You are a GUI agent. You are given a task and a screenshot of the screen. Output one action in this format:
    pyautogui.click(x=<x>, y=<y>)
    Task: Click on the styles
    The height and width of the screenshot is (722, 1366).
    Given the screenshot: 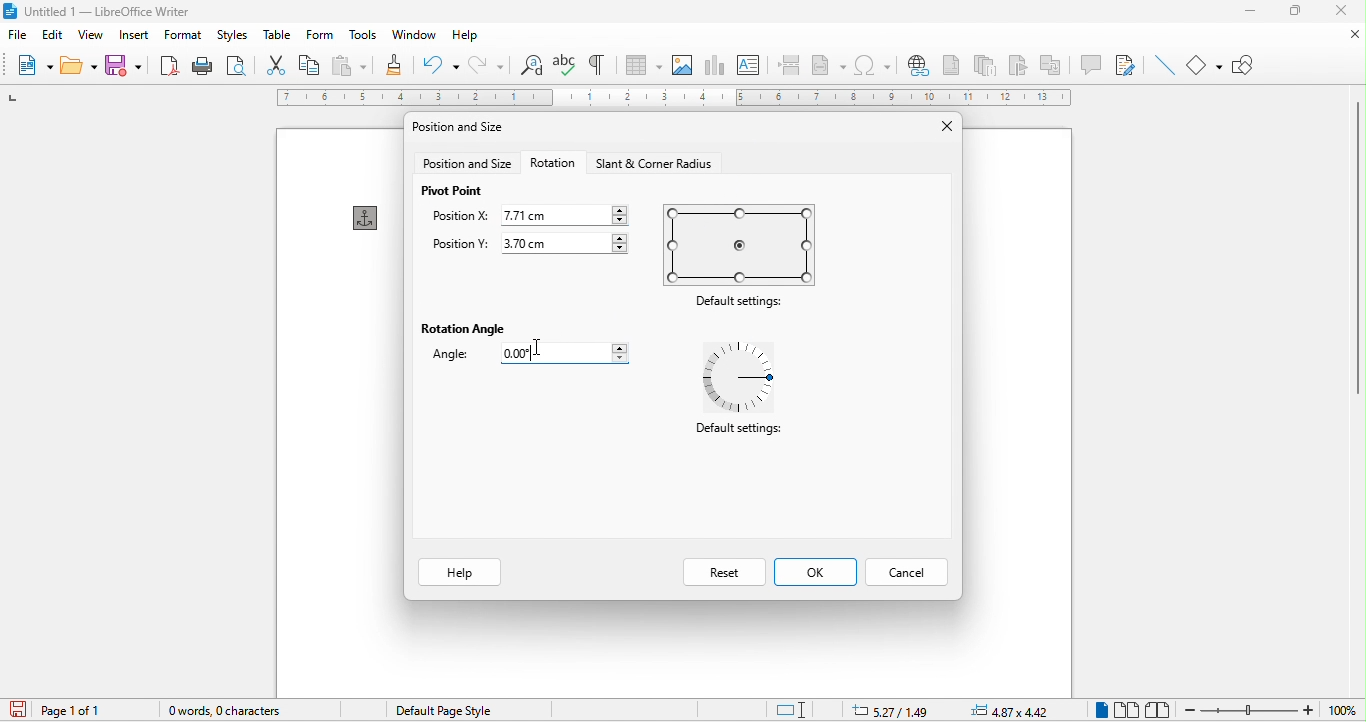 What is the action you would take?
    pyautogui.click(x=233, y=36)
    